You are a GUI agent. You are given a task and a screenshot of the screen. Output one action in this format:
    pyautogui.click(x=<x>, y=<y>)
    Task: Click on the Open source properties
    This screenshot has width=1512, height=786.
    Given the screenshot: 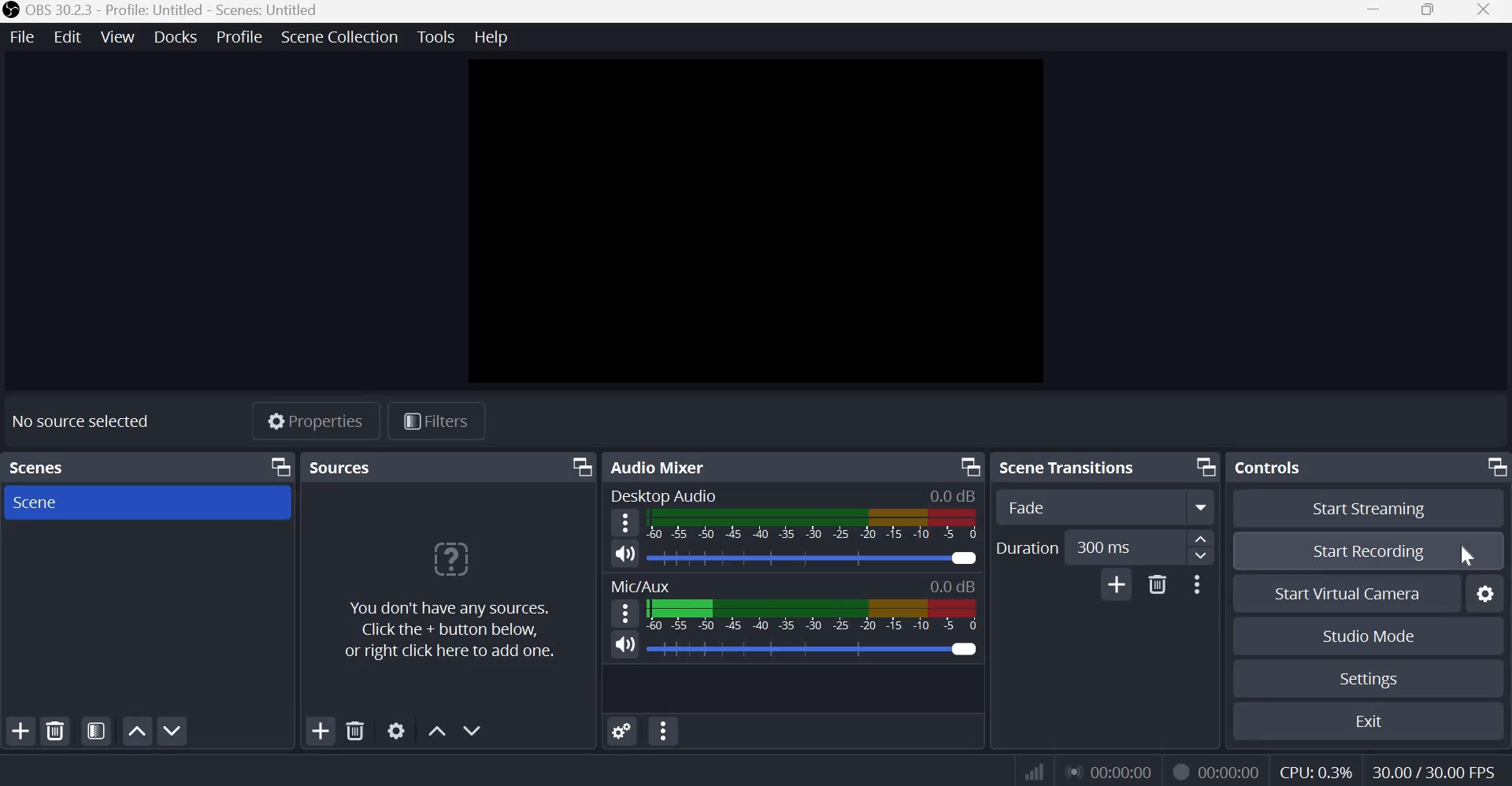 What is the action you would take?
    pyautogui.click(x=395, y=731)
    